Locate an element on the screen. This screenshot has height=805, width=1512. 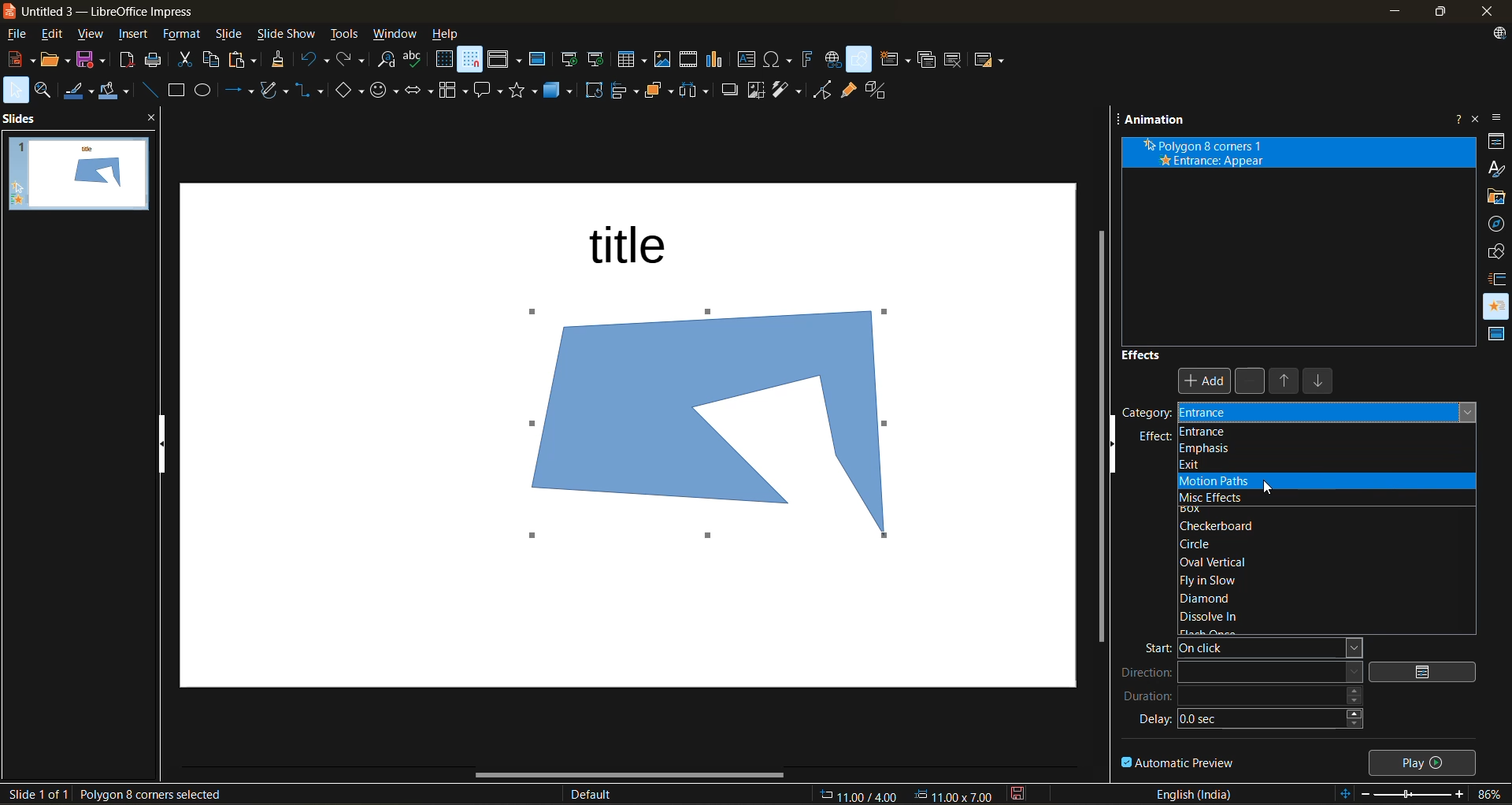
entrance is located at coordinates (1326, 430).